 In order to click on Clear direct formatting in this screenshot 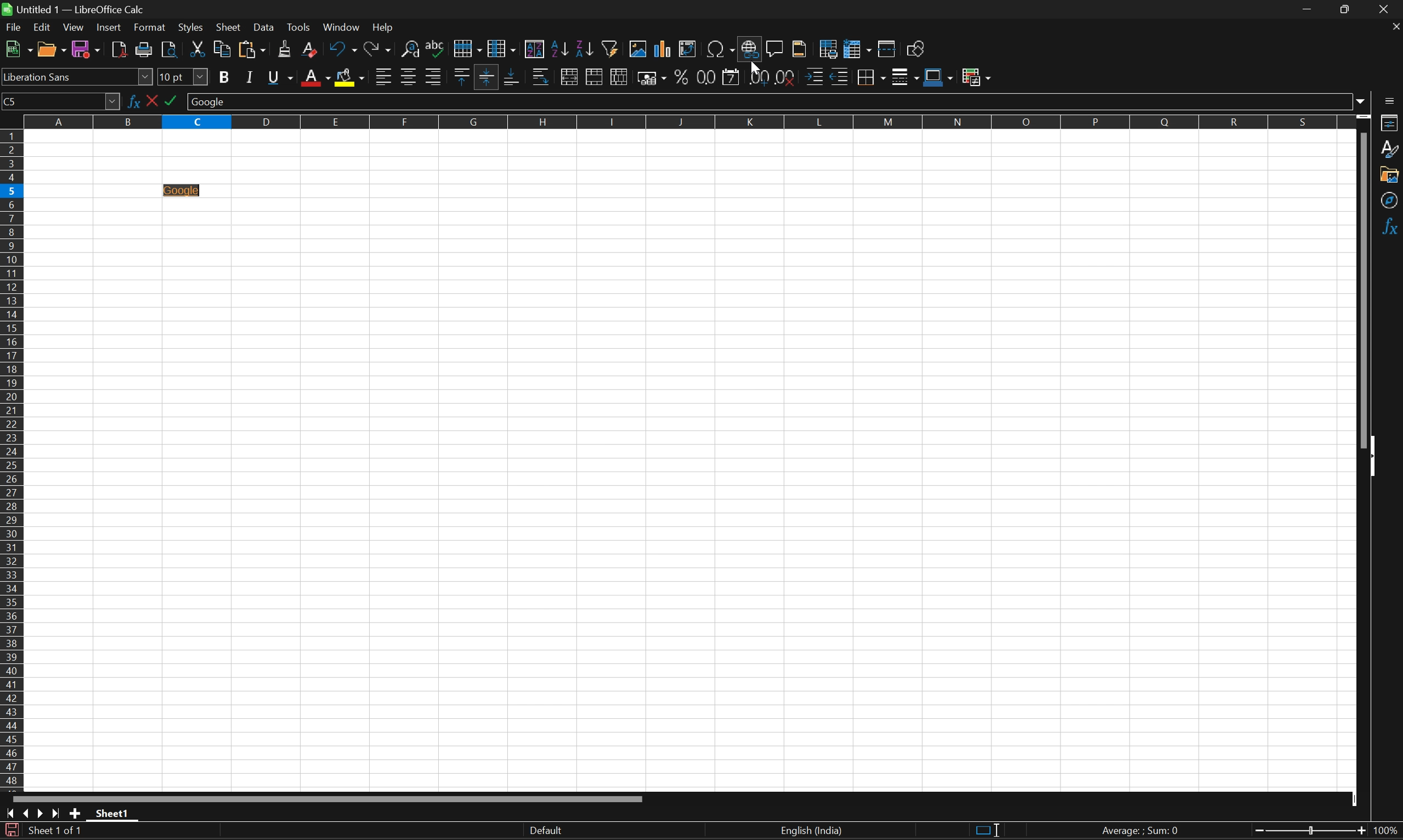, I will do `click(311, 51)`.